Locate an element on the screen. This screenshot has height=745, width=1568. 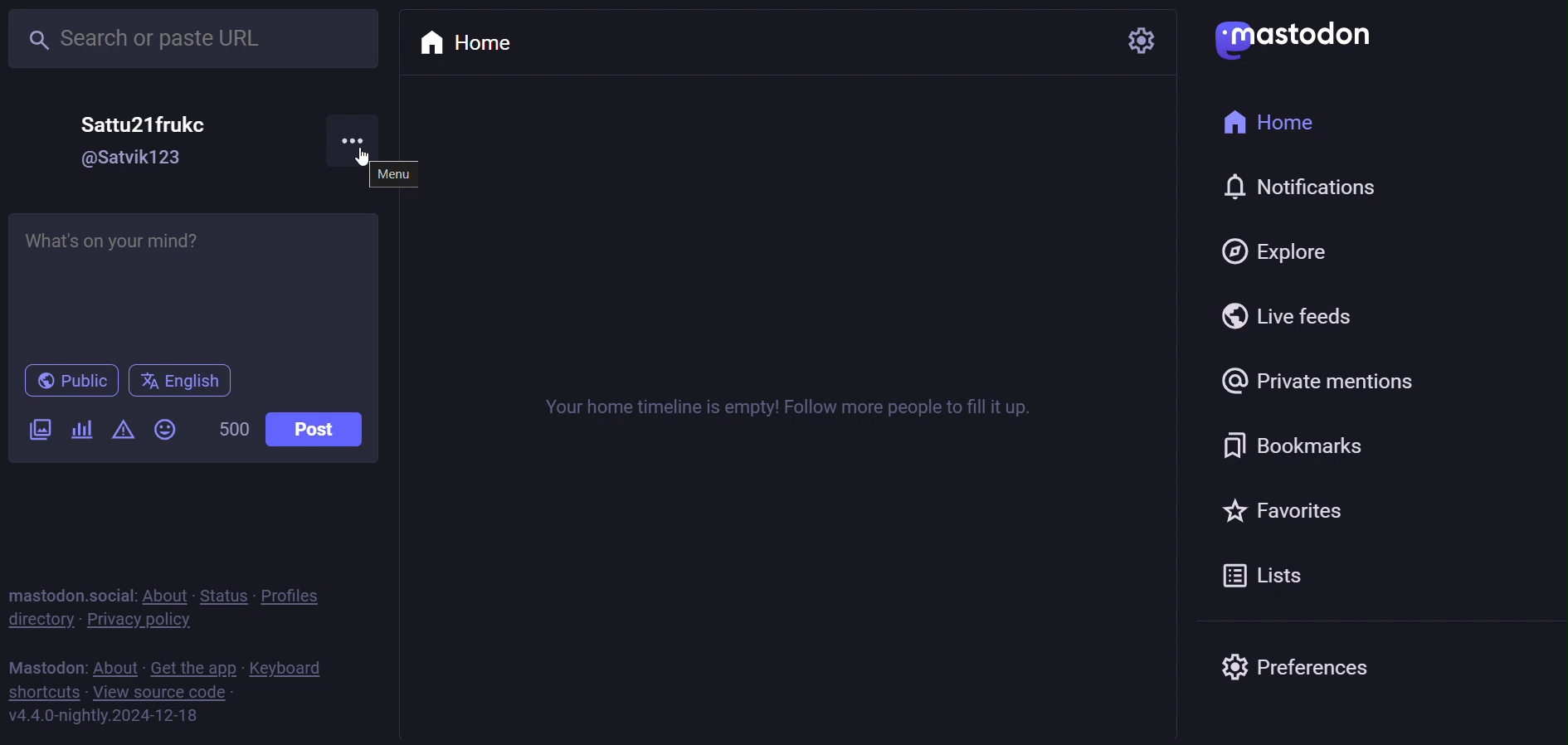
bookmarks is located at coordinates (1320, 448).